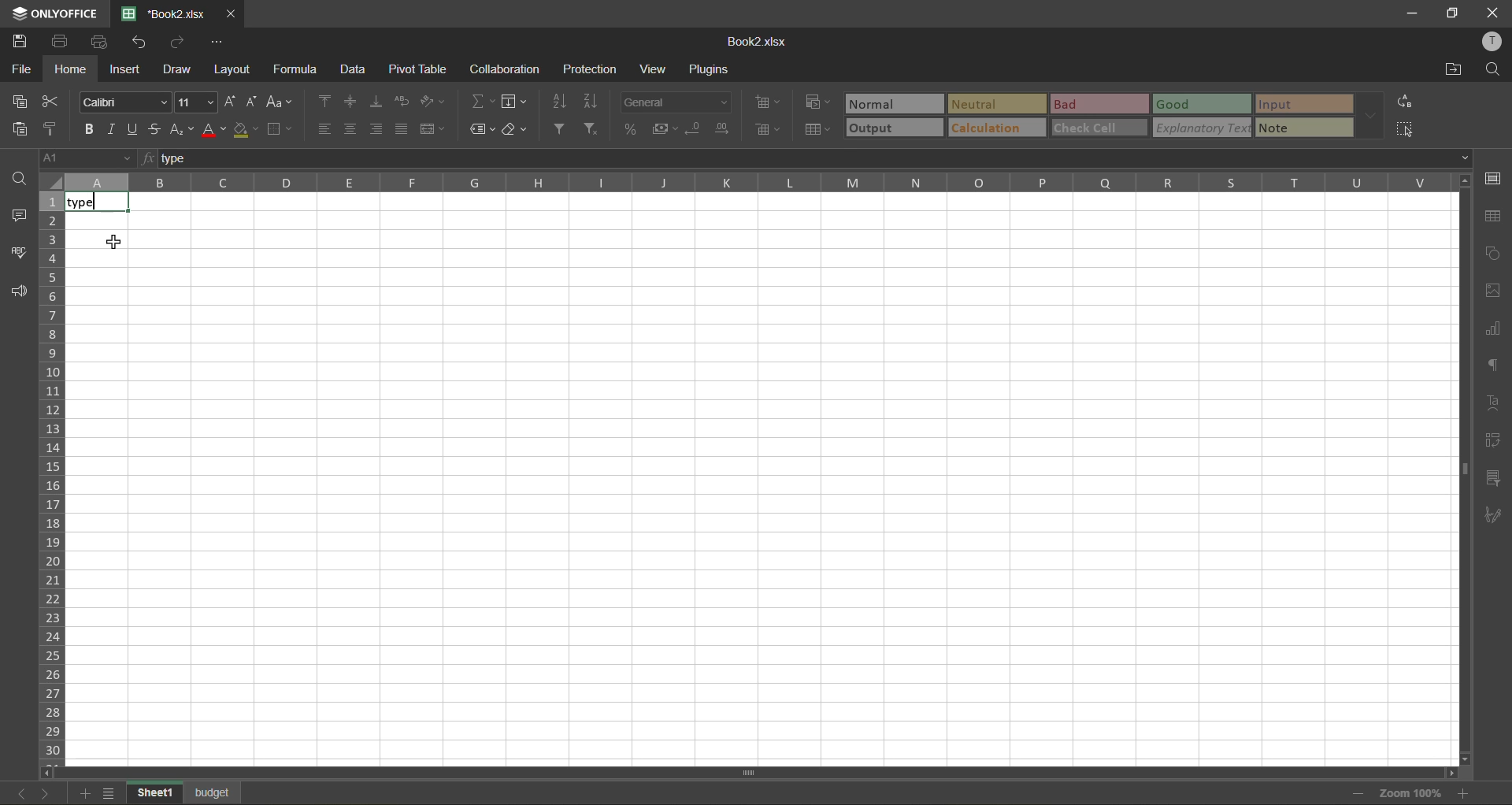 Image resolution: width=1512 pixels, height=805 pixels. What do you see at coordinates (231, 14) in the screenshot?
I see `close tab` at bounding box center [231, 14].